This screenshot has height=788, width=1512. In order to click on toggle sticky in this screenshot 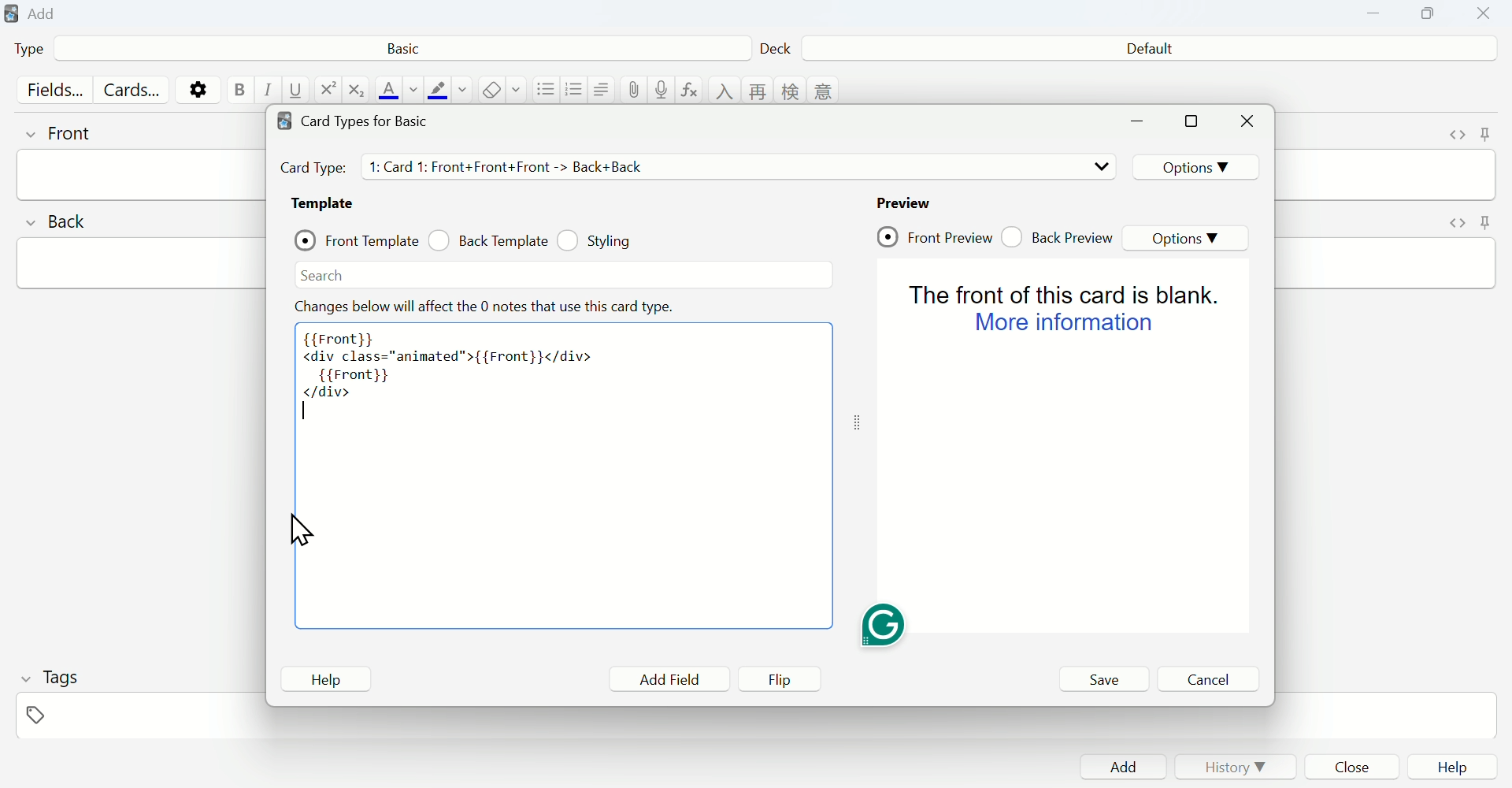, I will do `click(1485, 222)`.